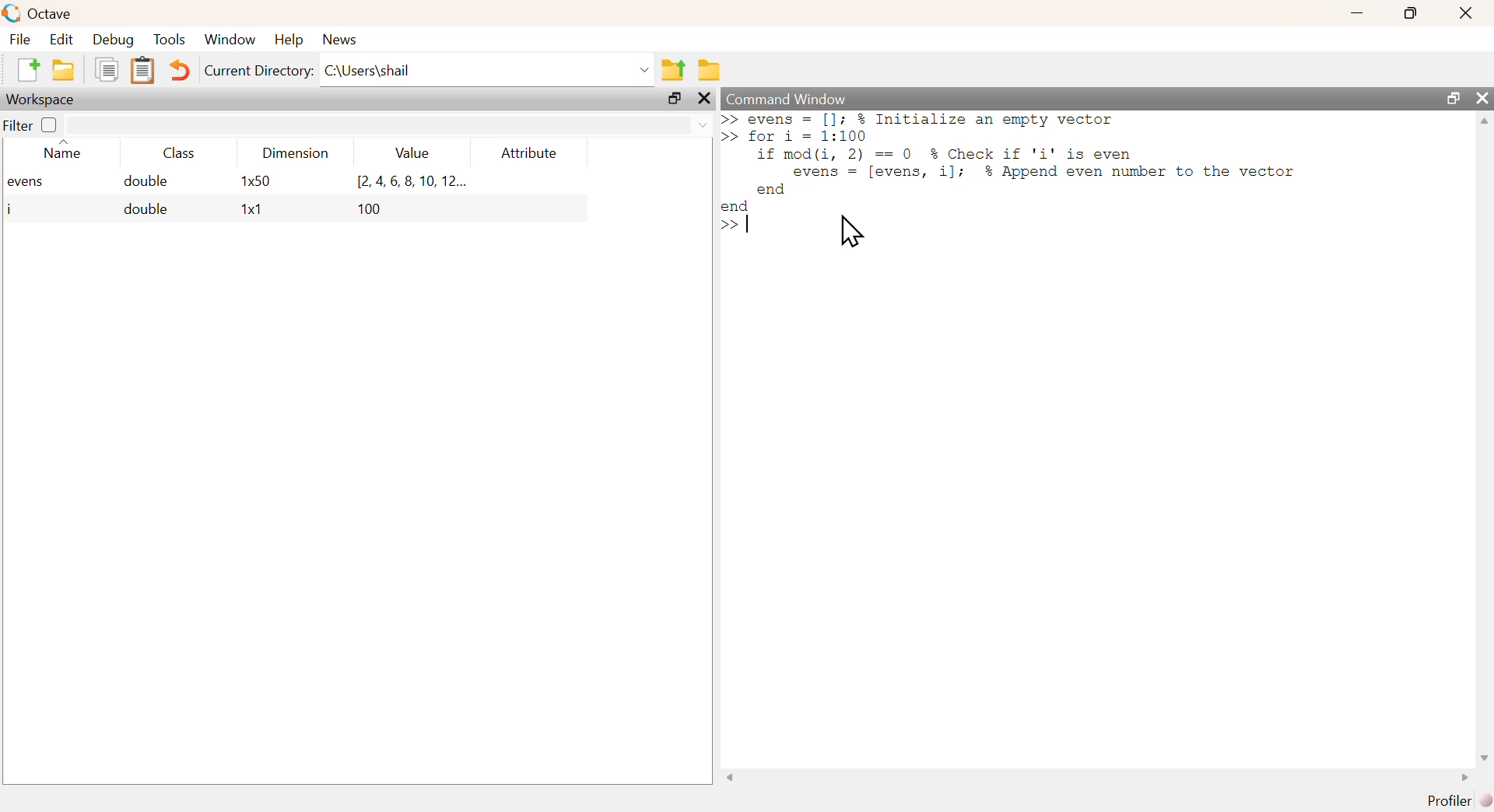 The width and height of the screenshot is (1494, 812). I want to click on filter, so click(390, 124).